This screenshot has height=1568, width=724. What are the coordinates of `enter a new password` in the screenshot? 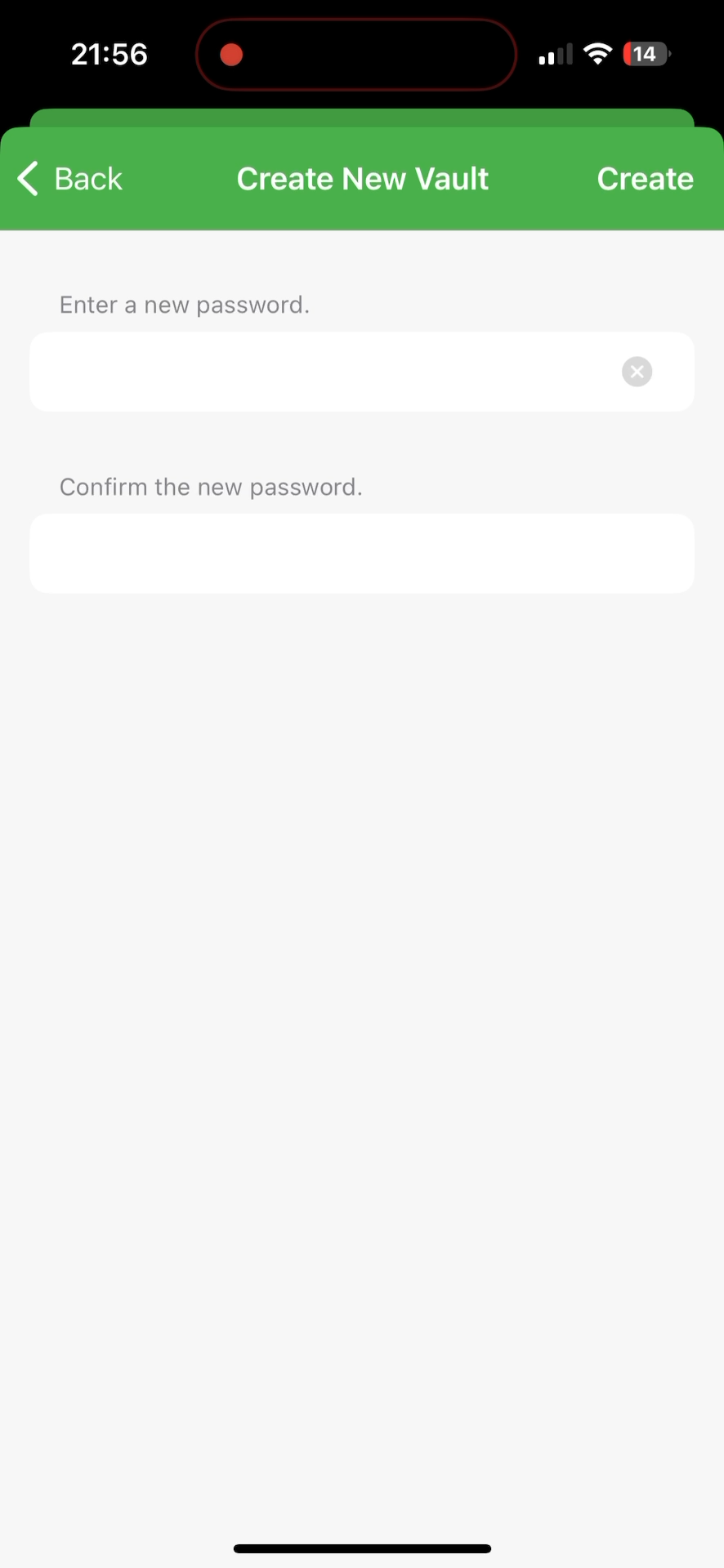 It's located at (184, 299).